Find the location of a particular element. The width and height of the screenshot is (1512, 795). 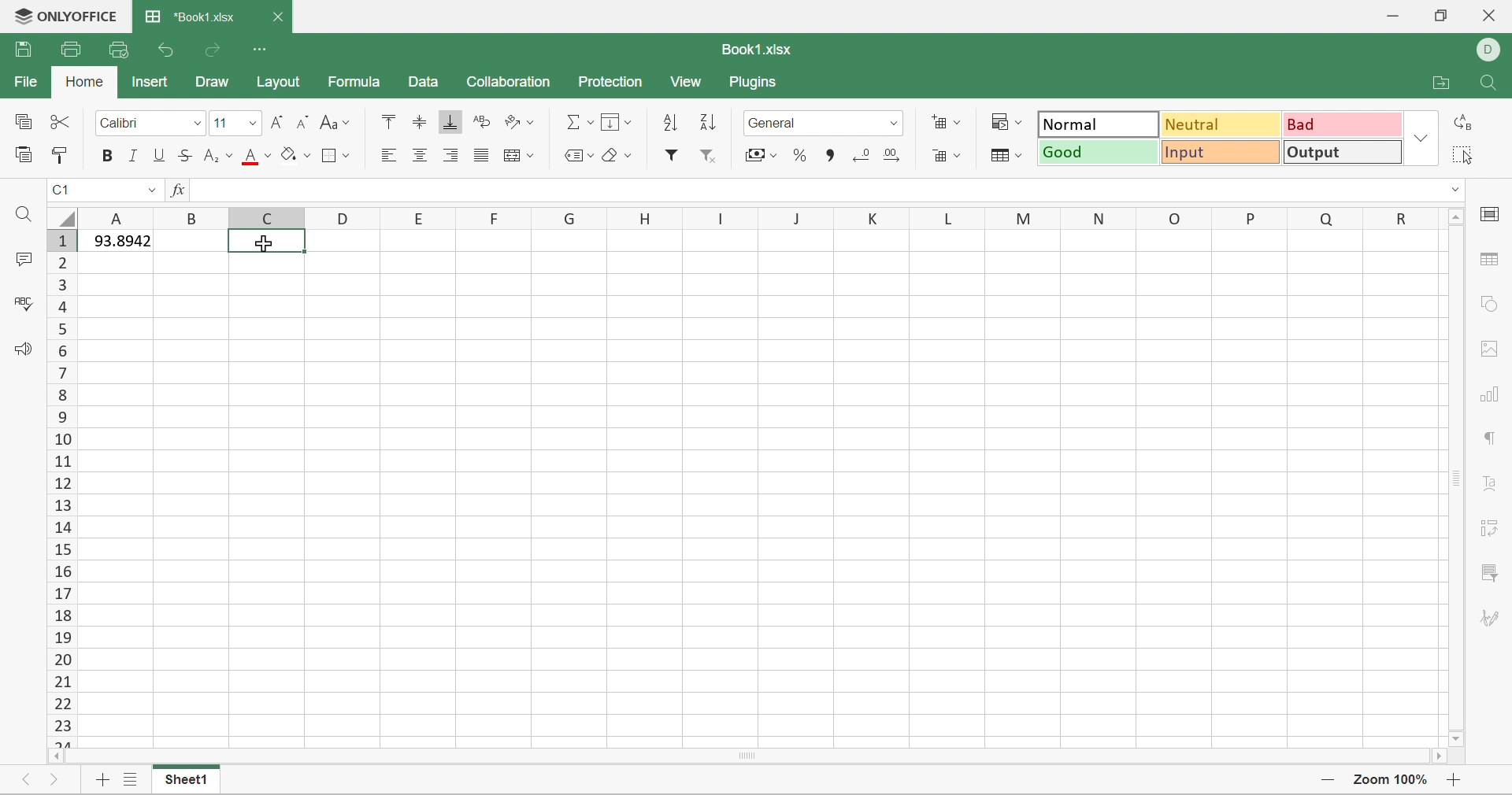

Fill color is located at coordinates (295, 153).